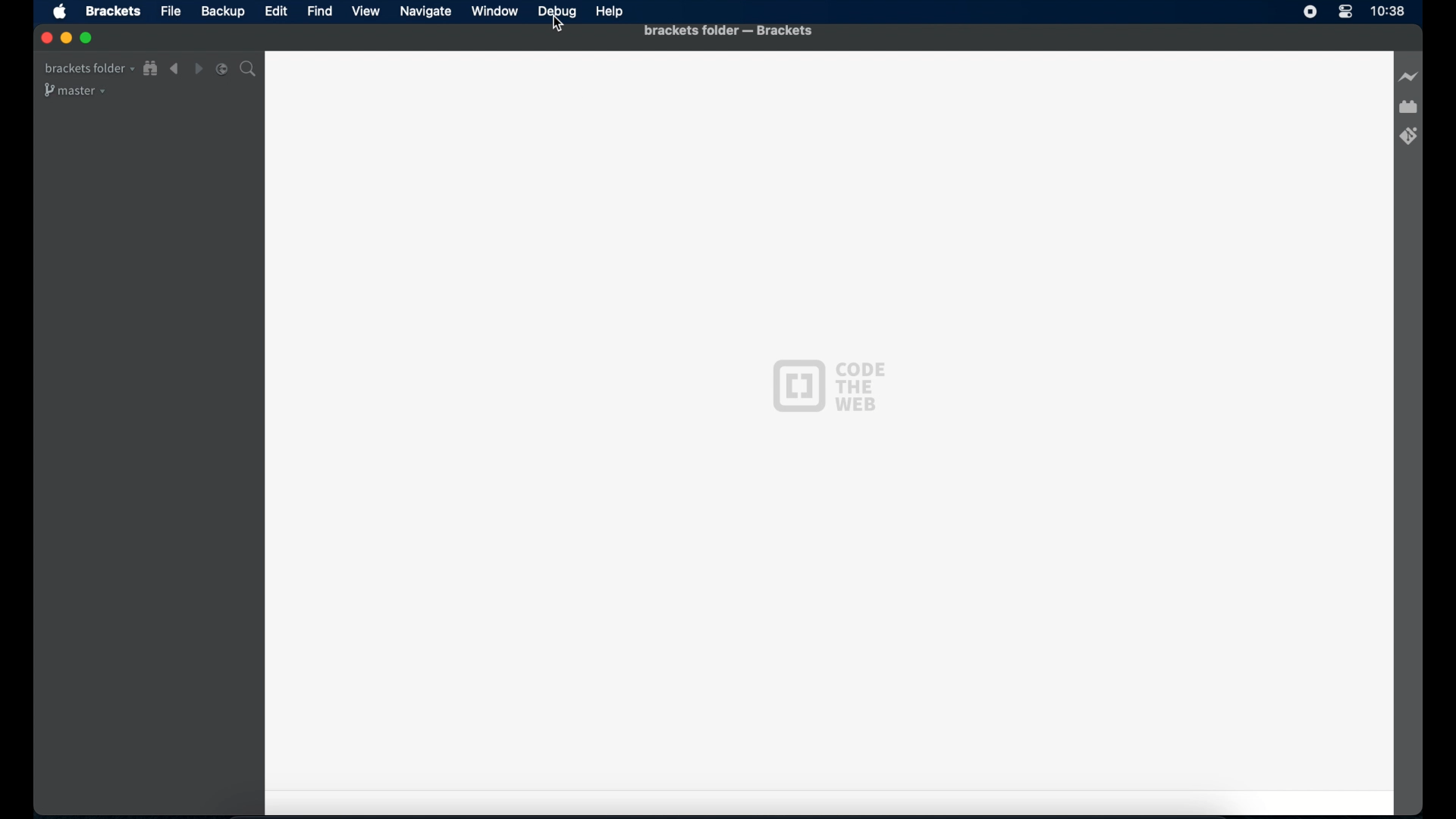  What do you see at coordinates (222, 70) in the screenshot?
I see `split the editor vertical or horizontal` at bounding box center [222, 70].